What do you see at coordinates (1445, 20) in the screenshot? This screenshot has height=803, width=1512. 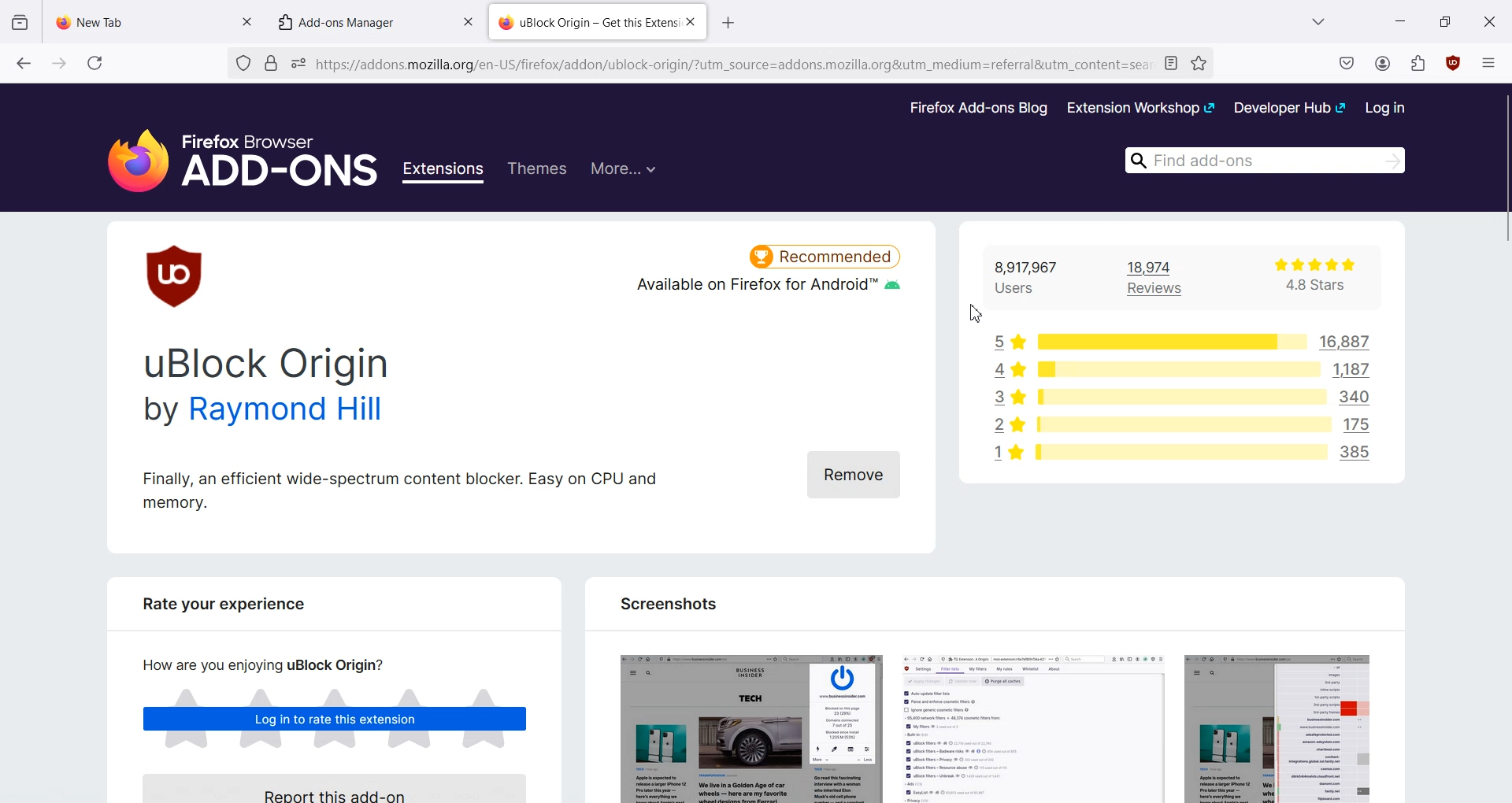 I see `Maximize` at bounding box center [1445, 20].